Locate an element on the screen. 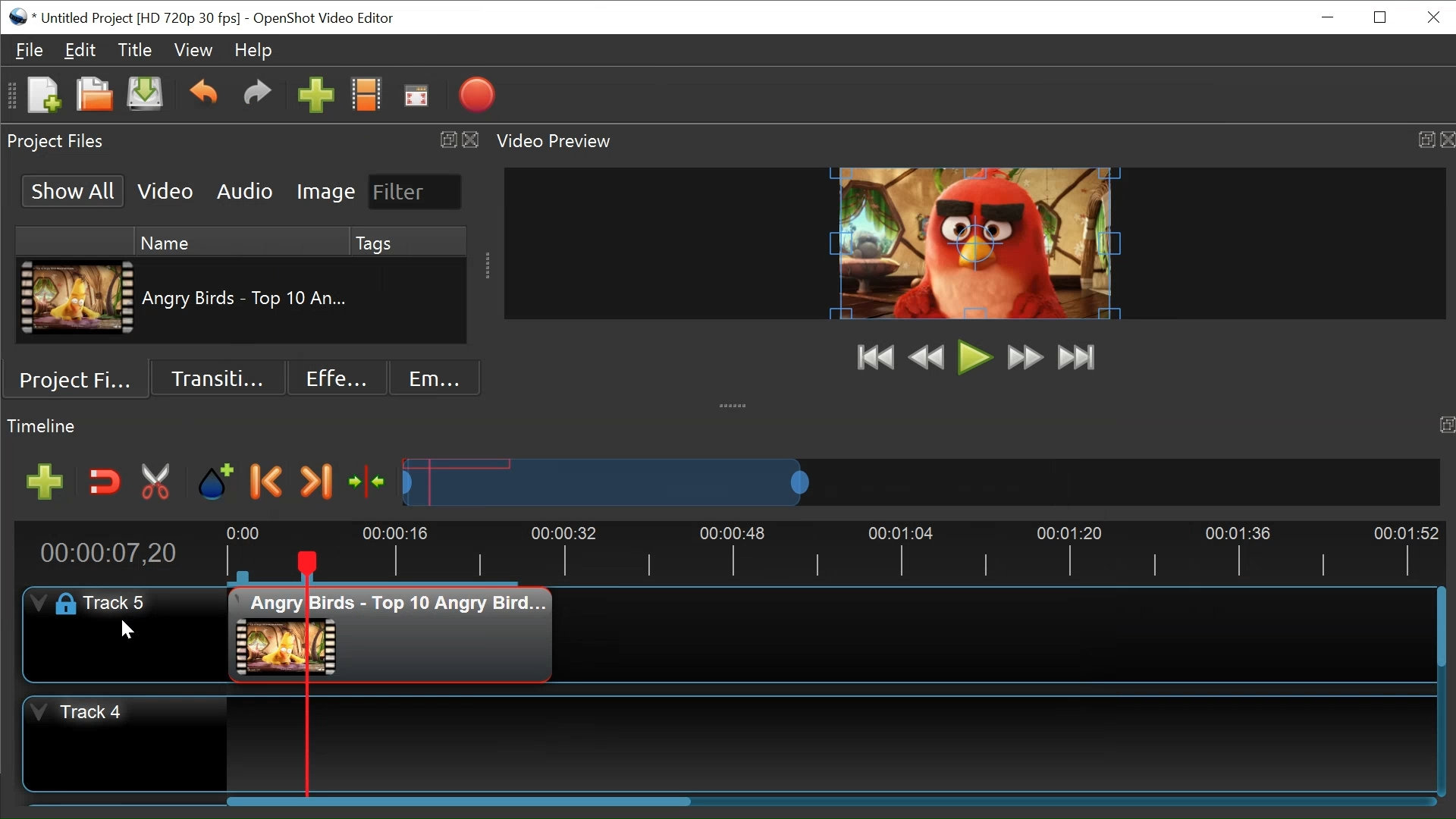 This screenshot has height=819, width=1456. Cursor is located at coordinates (133, 631).